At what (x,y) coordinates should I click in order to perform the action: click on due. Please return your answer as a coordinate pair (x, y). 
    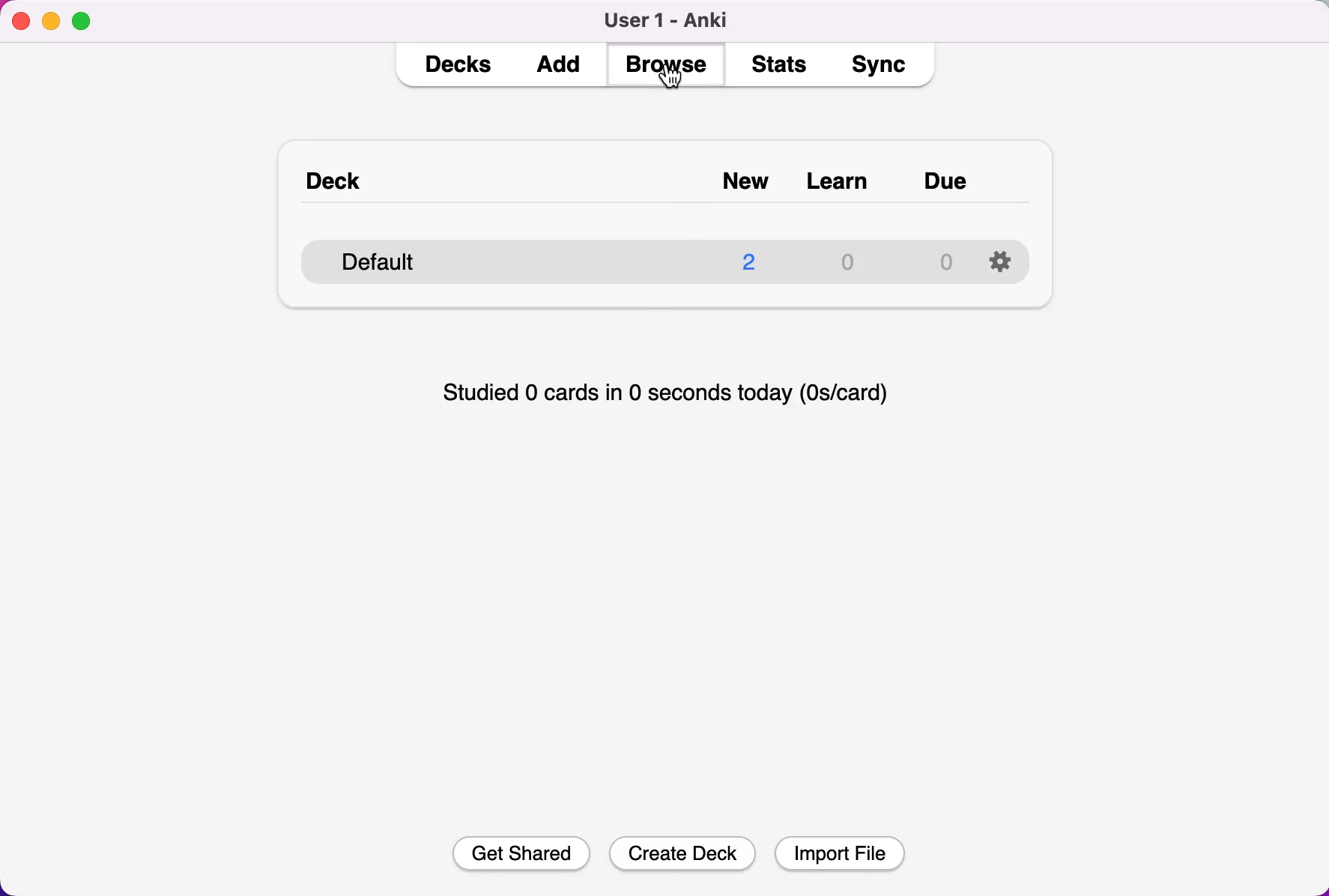
    Looking at the image, I should click on (945, 186).